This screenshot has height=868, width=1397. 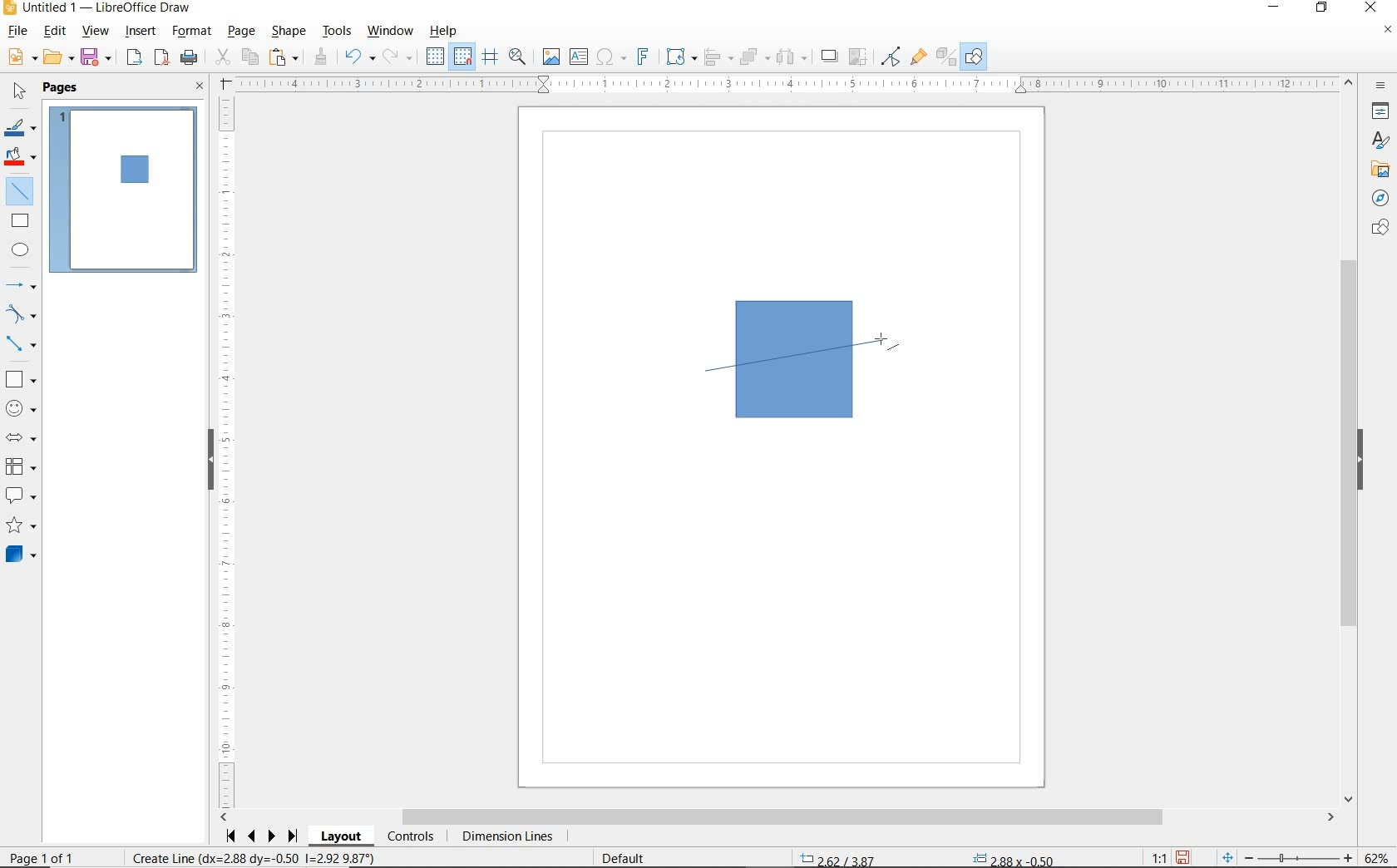 I want to click on BLOCK ARROWS, so click(x=26, y=437).